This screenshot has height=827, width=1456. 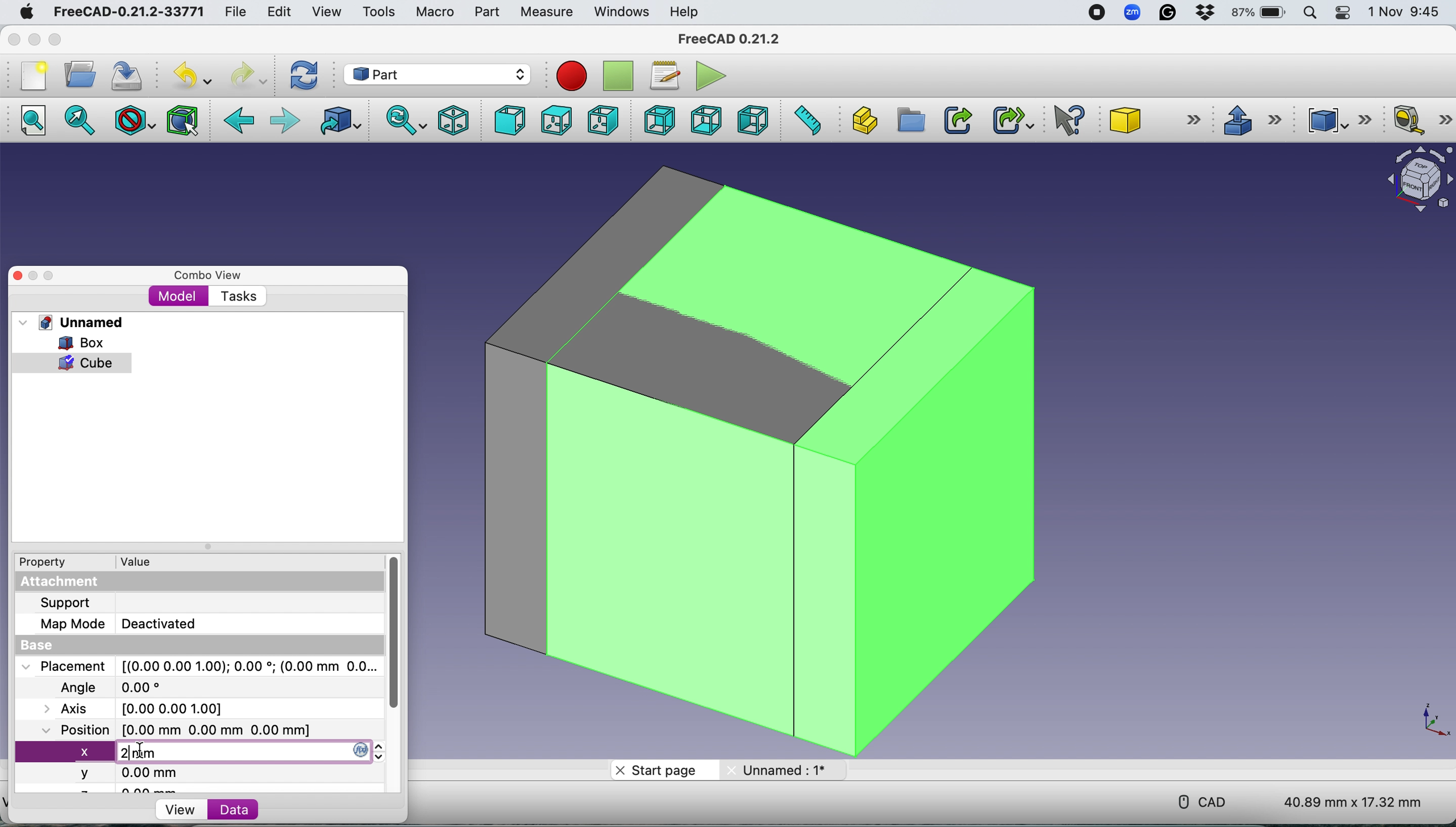 I want to click on Measure linear, so click(x=1422, y=122).